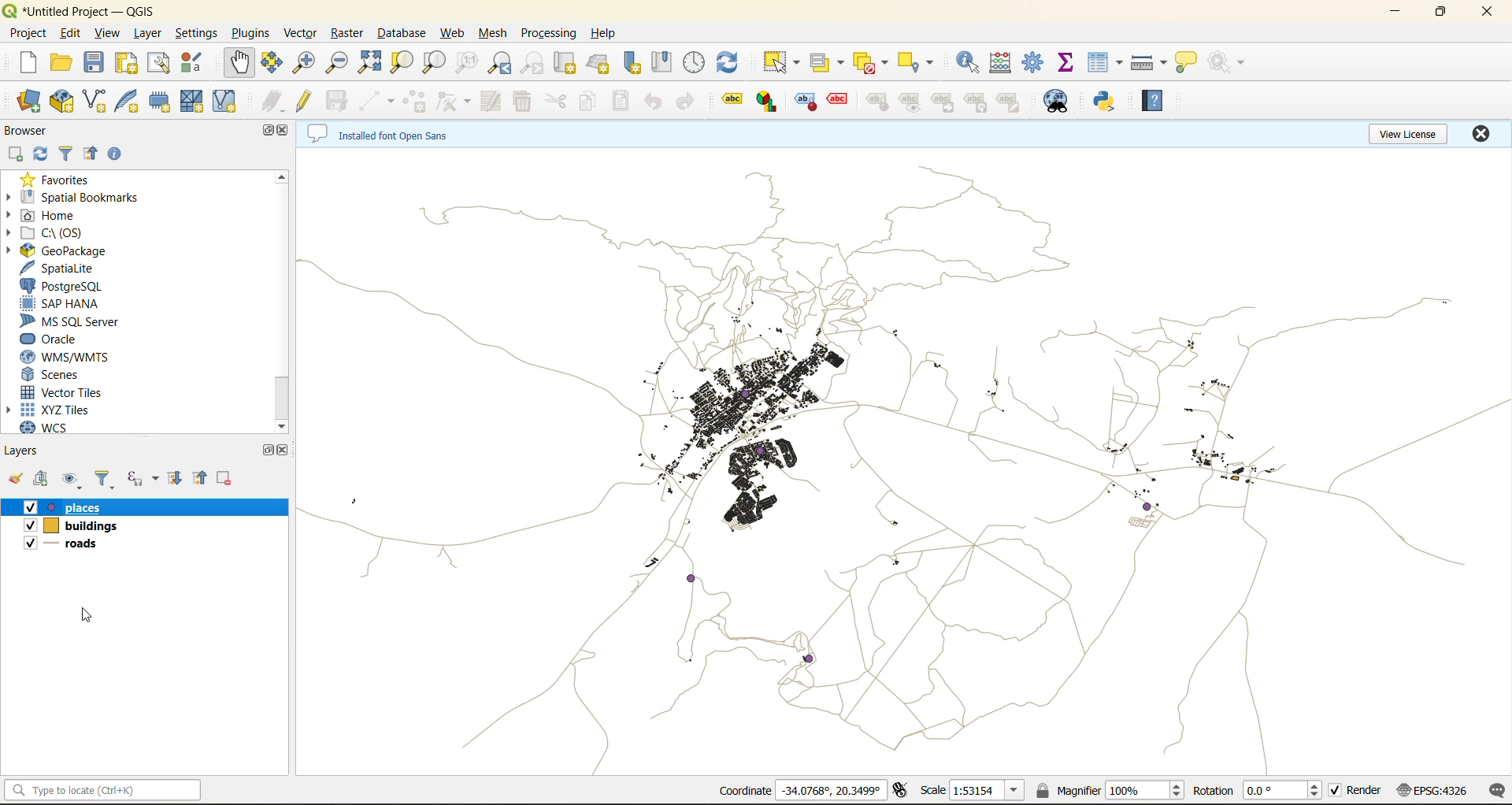 This screenshot has width=1512, height=805. I want to click on minimize, so click(1395, 11).